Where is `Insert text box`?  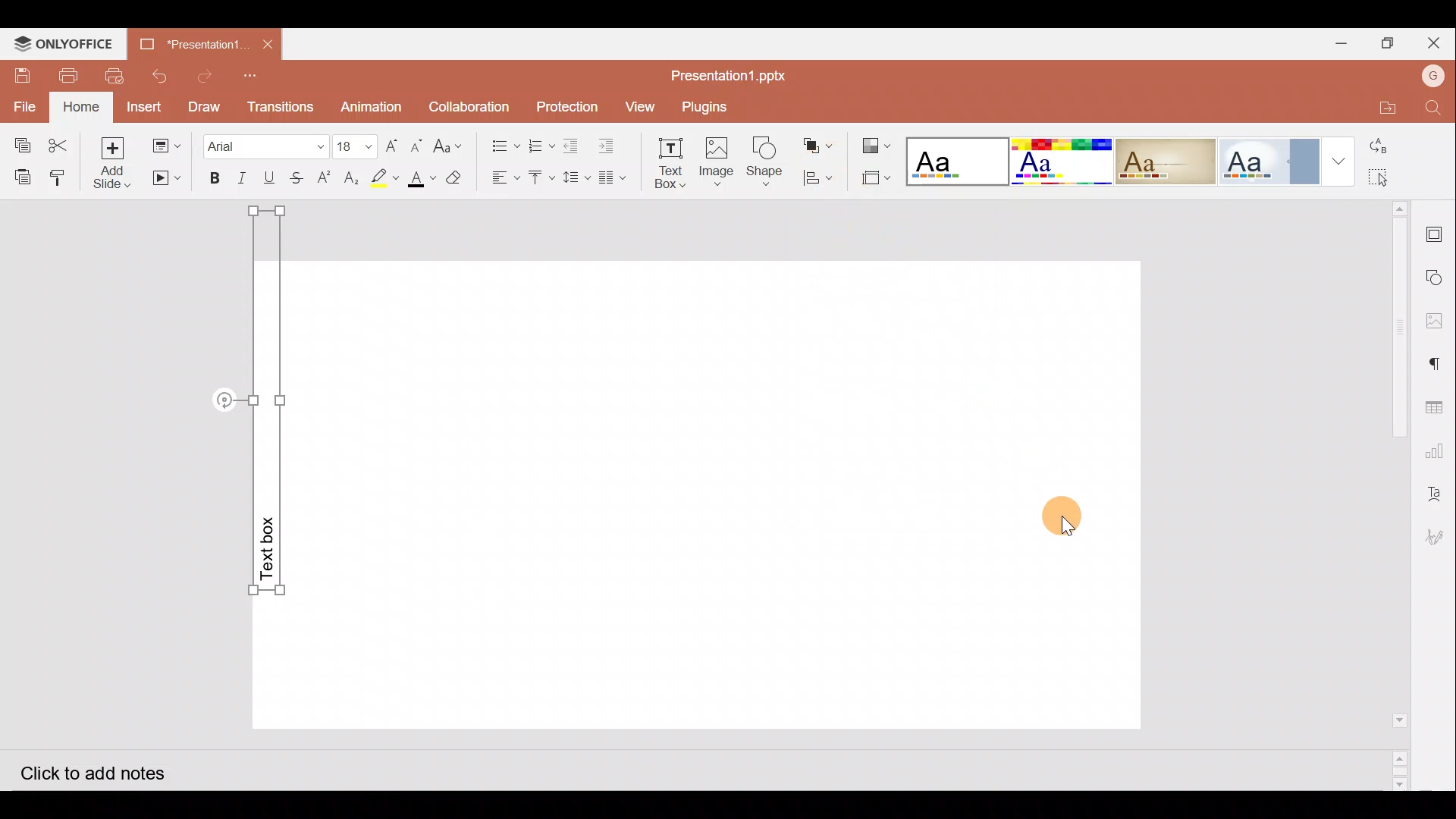
Insert text box is located at coordinates (667, 163).